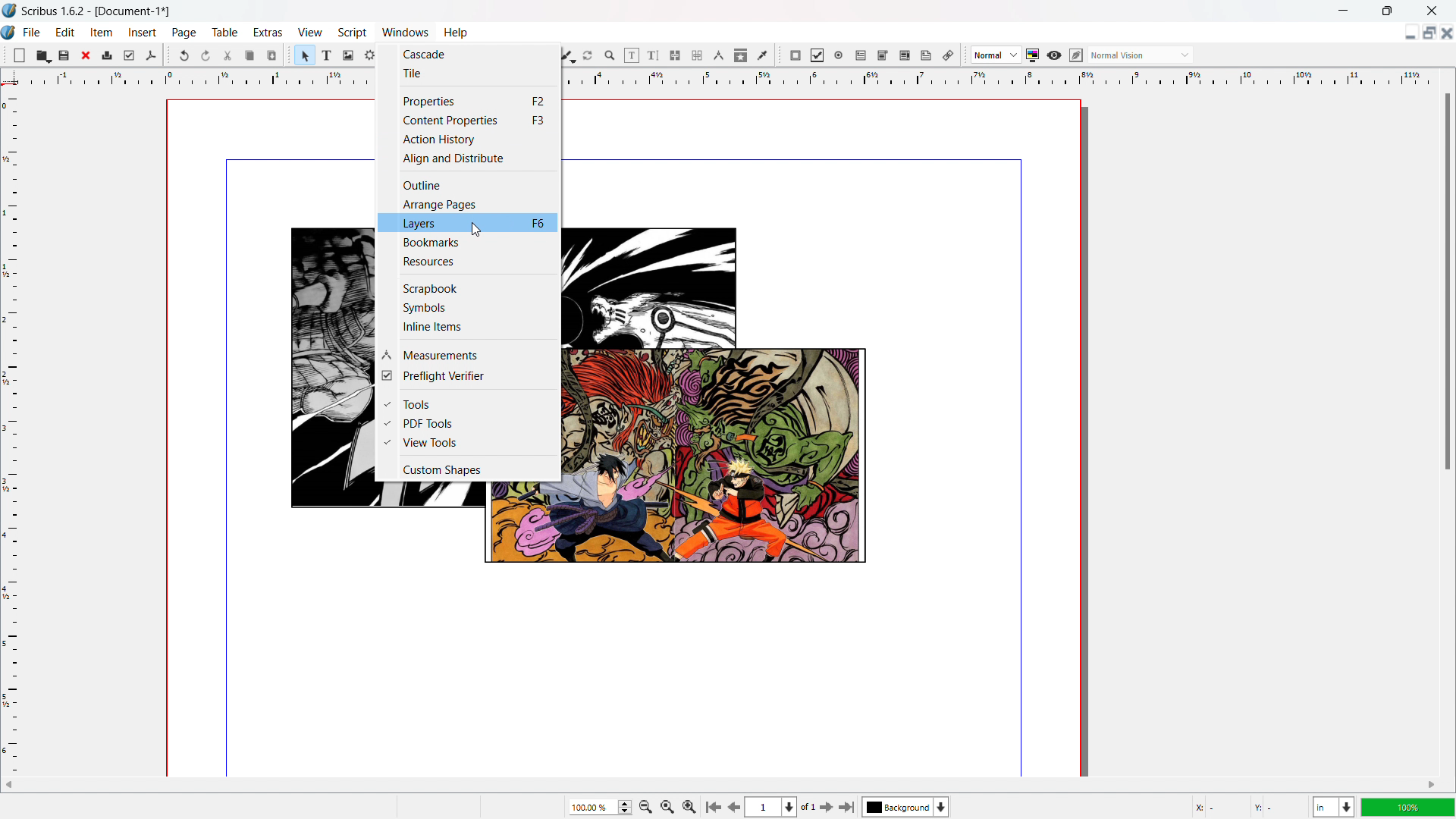 This screenshot has height=819, width=1456. Describe the element at coordinates (697, 55) in the screenshot. I see `unlink text frames` at that location.